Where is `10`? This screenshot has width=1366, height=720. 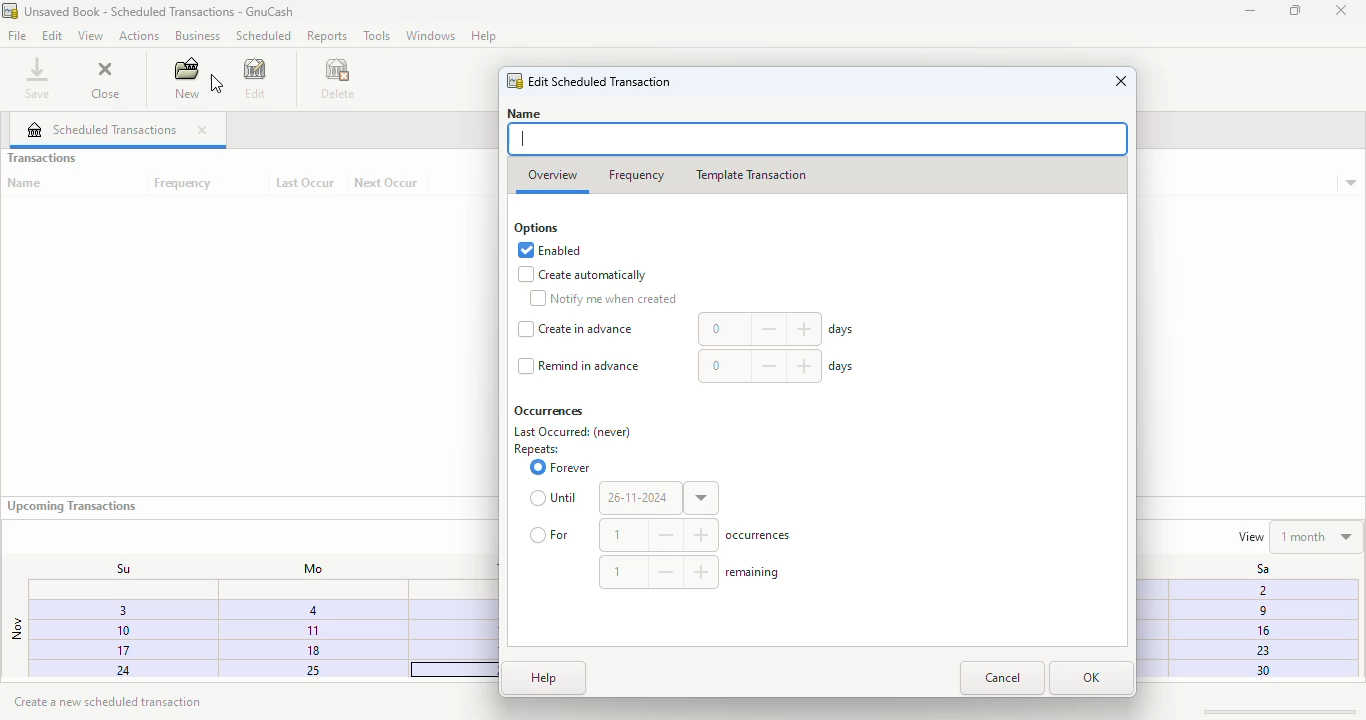 10 is located at coordinates (106, 631).